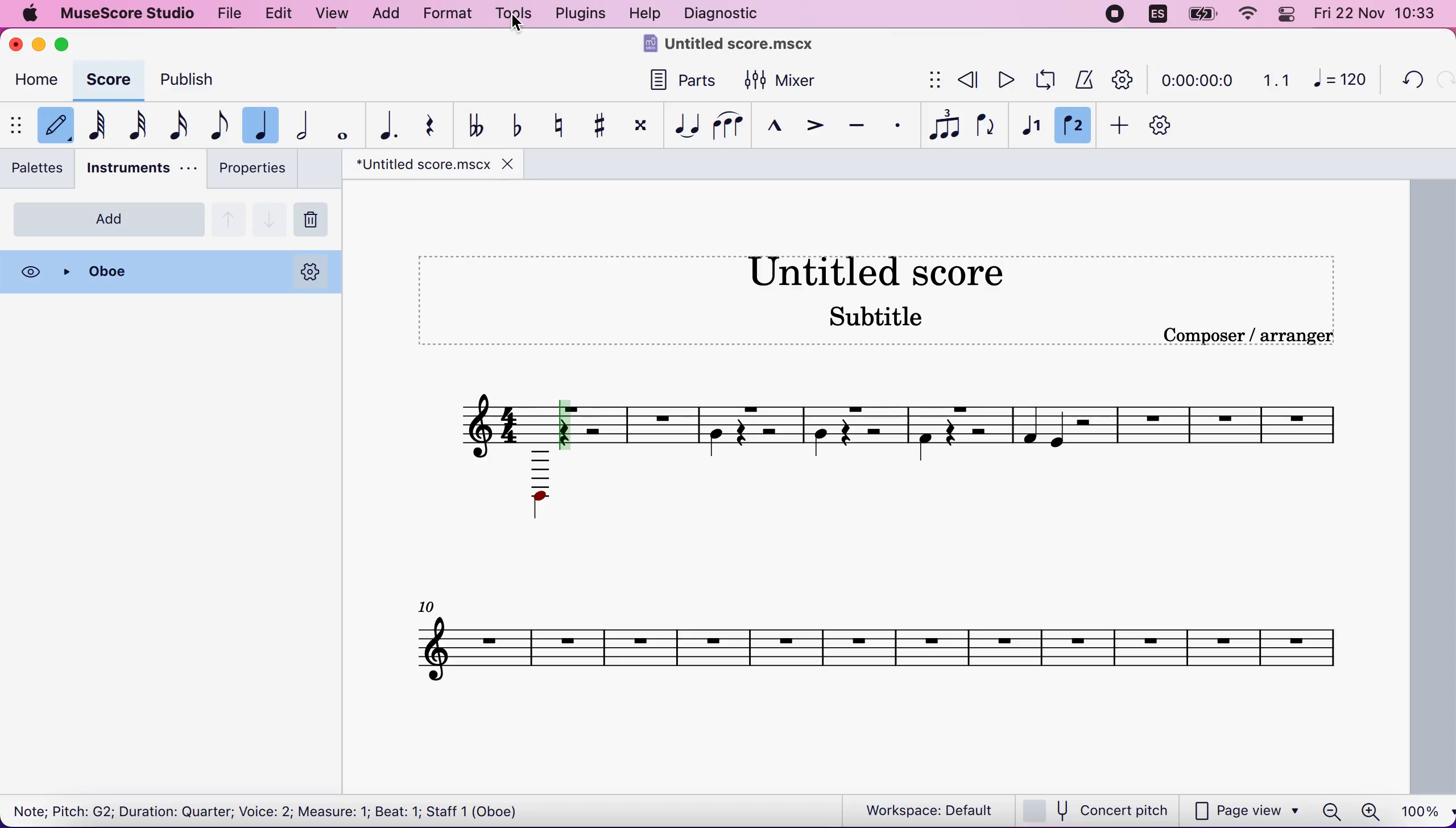 Image resolution: width=1456 pixels, height=828 pixels. I want to click on tenuto, so click(857, 123).